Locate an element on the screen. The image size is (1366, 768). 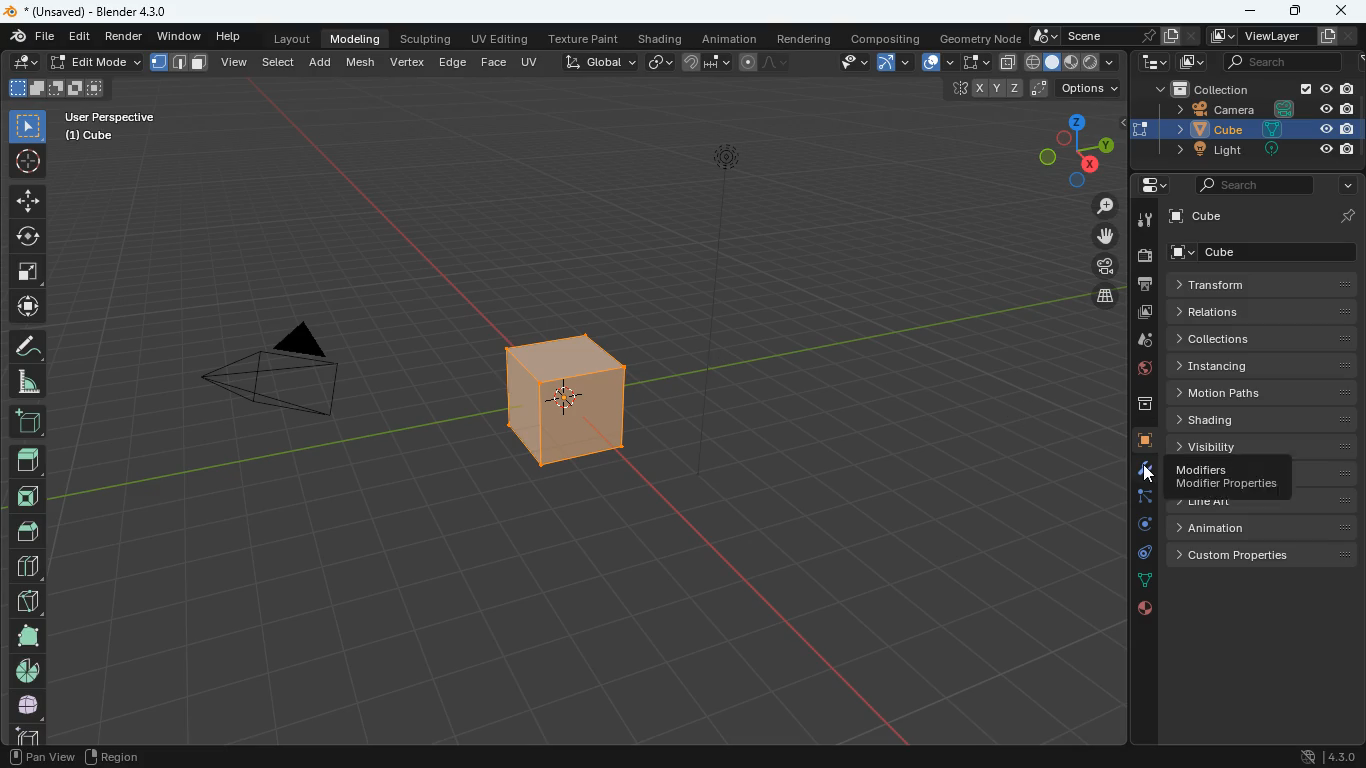
draw is located at coordinates (765, 61).